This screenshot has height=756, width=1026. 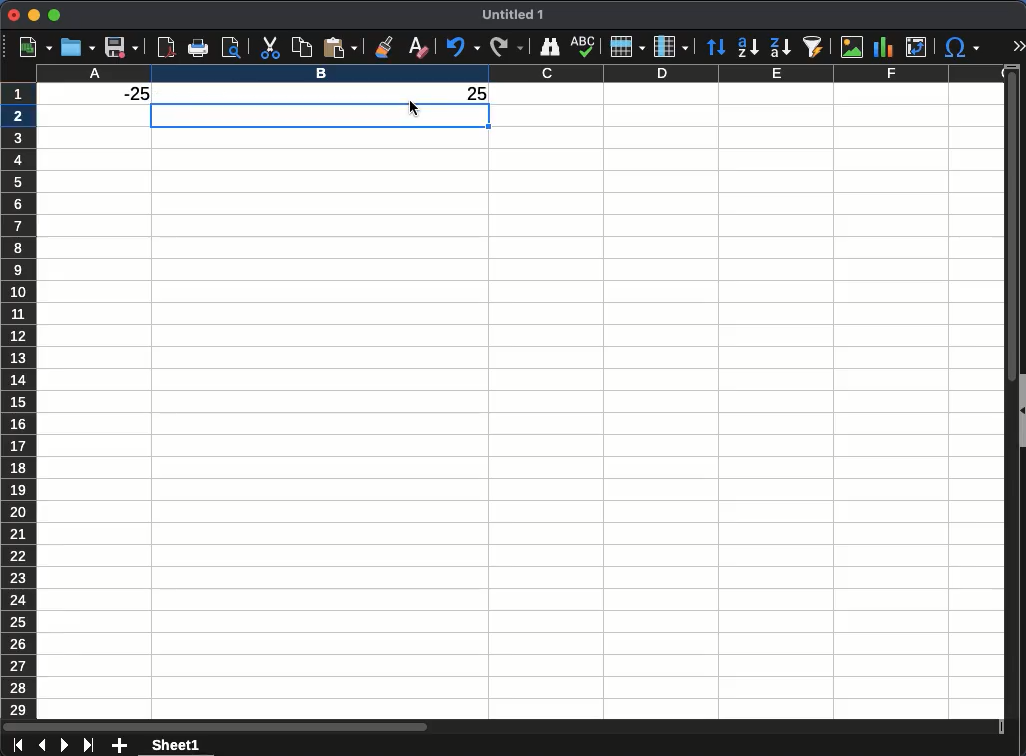 What do you see at coordinates (1020, 409) in the screenshot?
I see `collapse` at bounding box center [1020, 409].